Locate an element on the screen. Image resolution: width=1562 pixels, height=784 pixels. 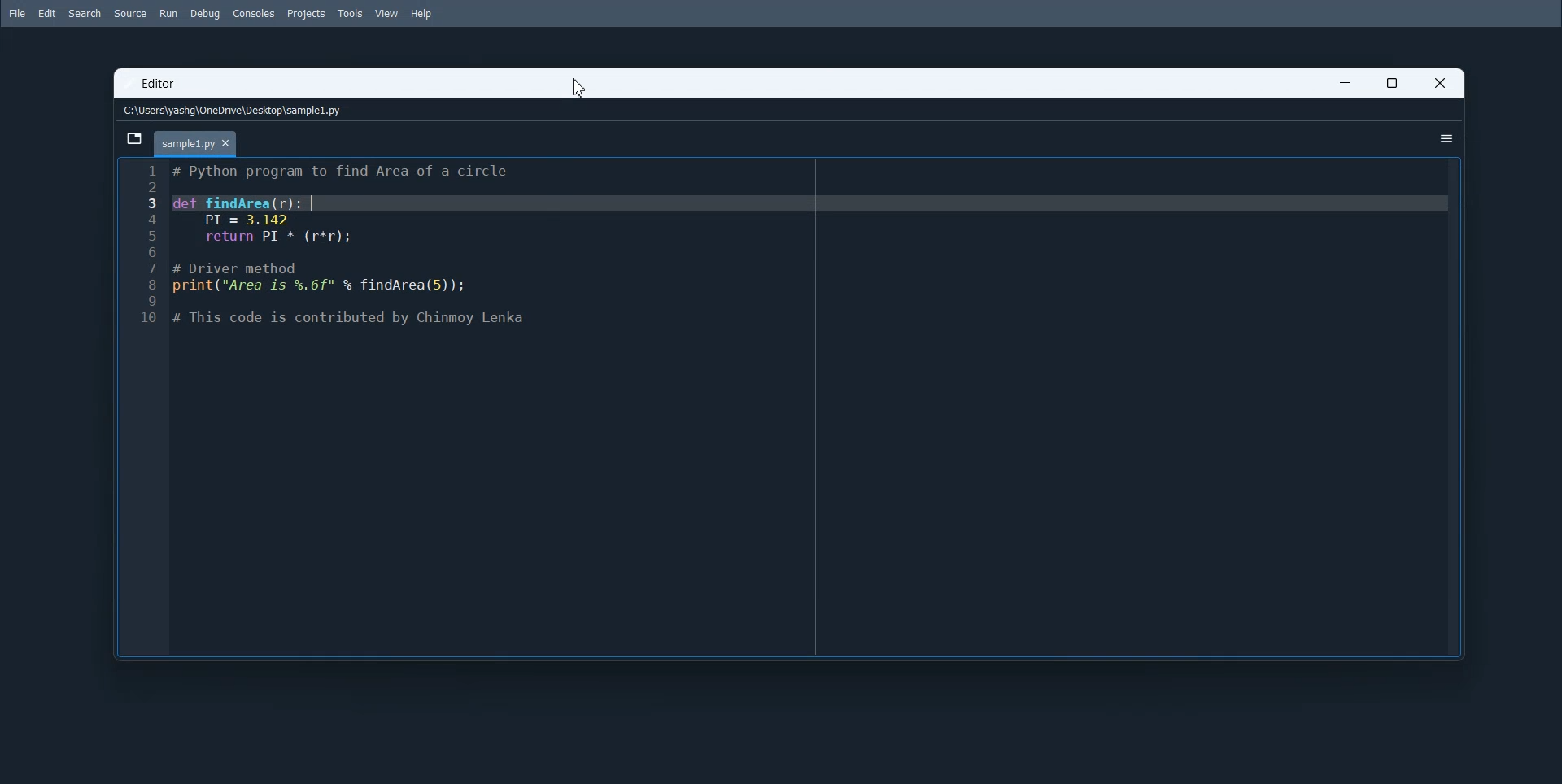
Editor is located at coordinates (161, 85).